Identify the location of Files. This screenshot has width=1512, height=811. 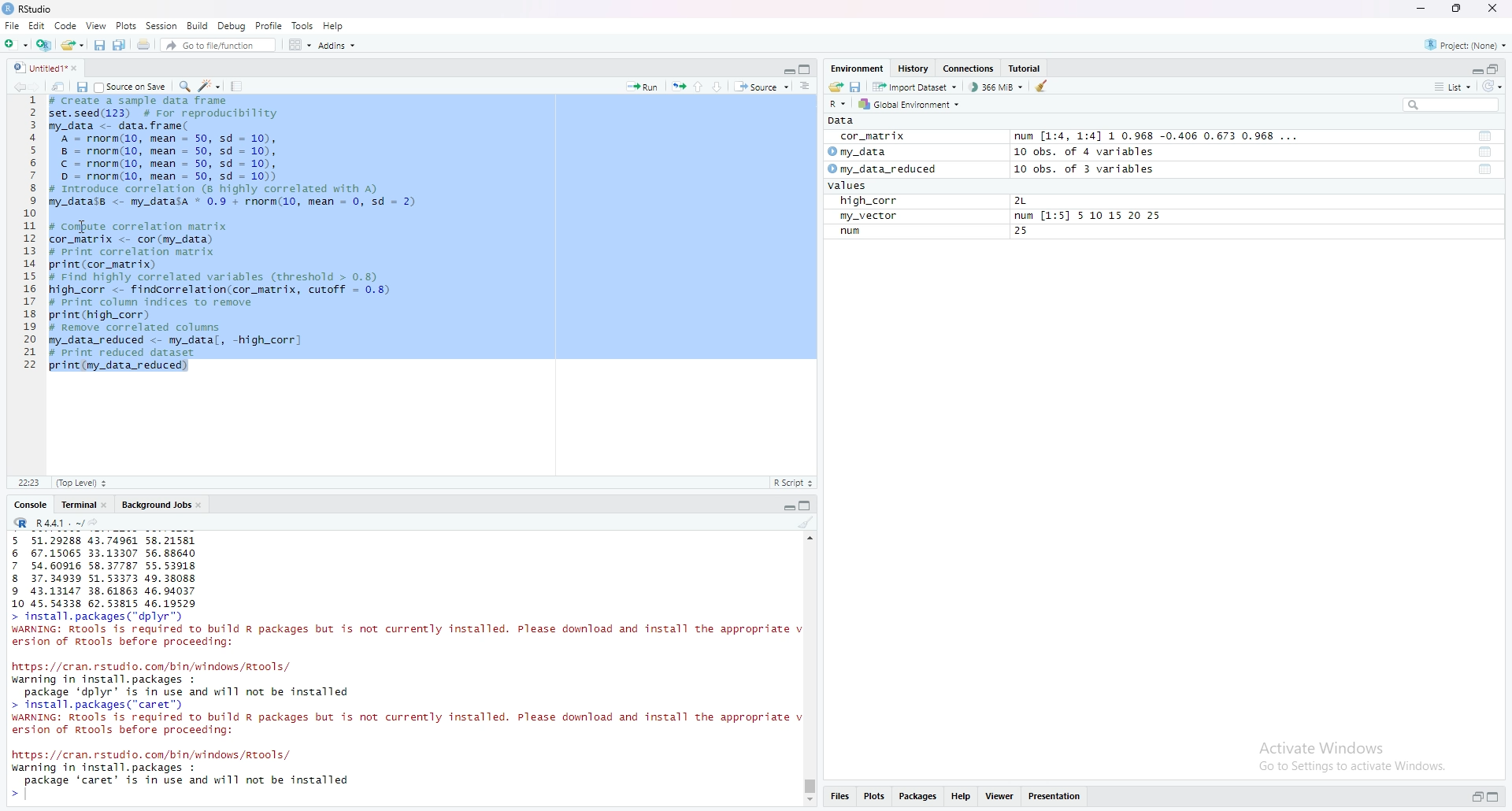
(839, 796).